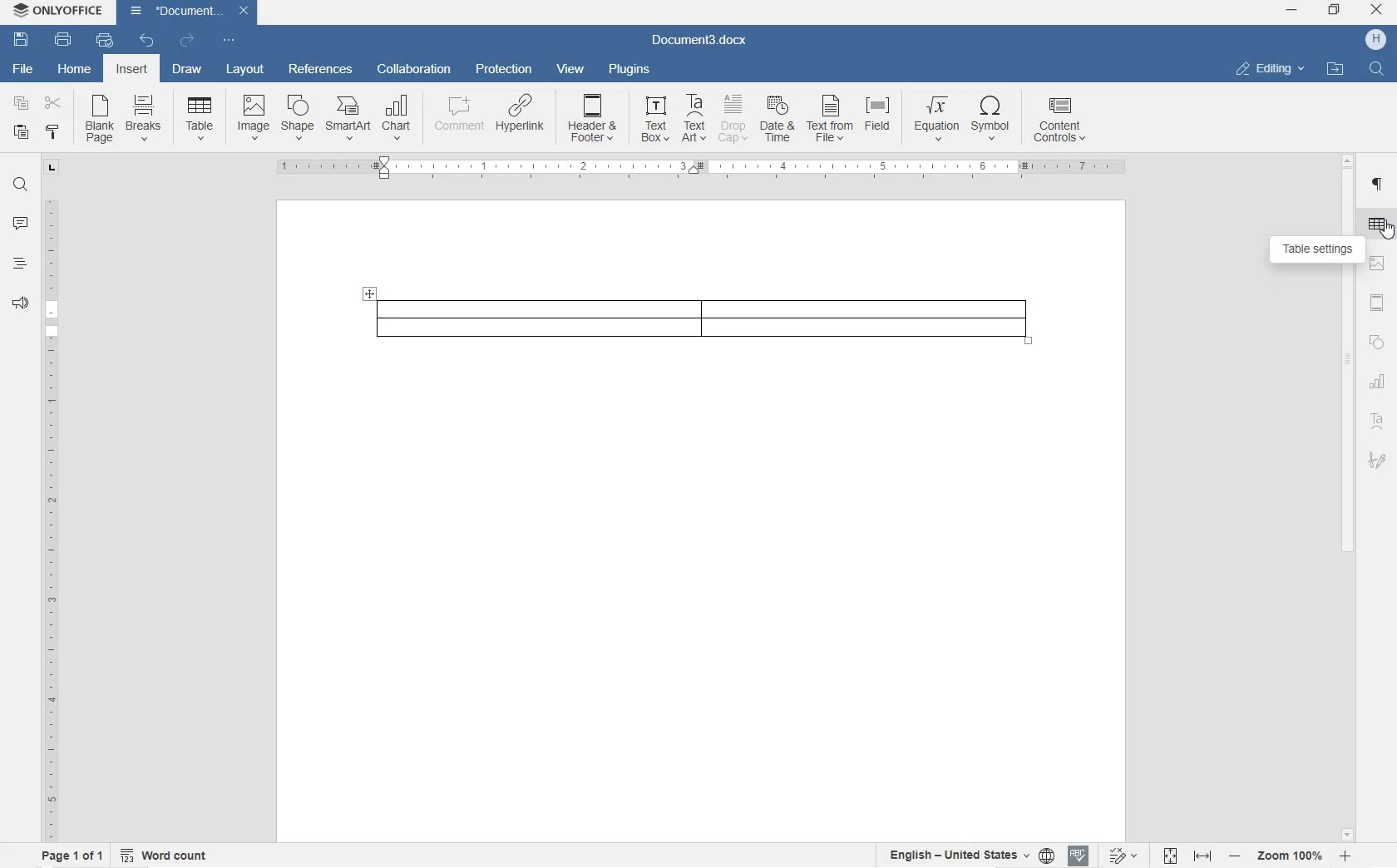  Describe the element at coordinates (701, 318) in the screenshot. I see `inserted table` at that location.